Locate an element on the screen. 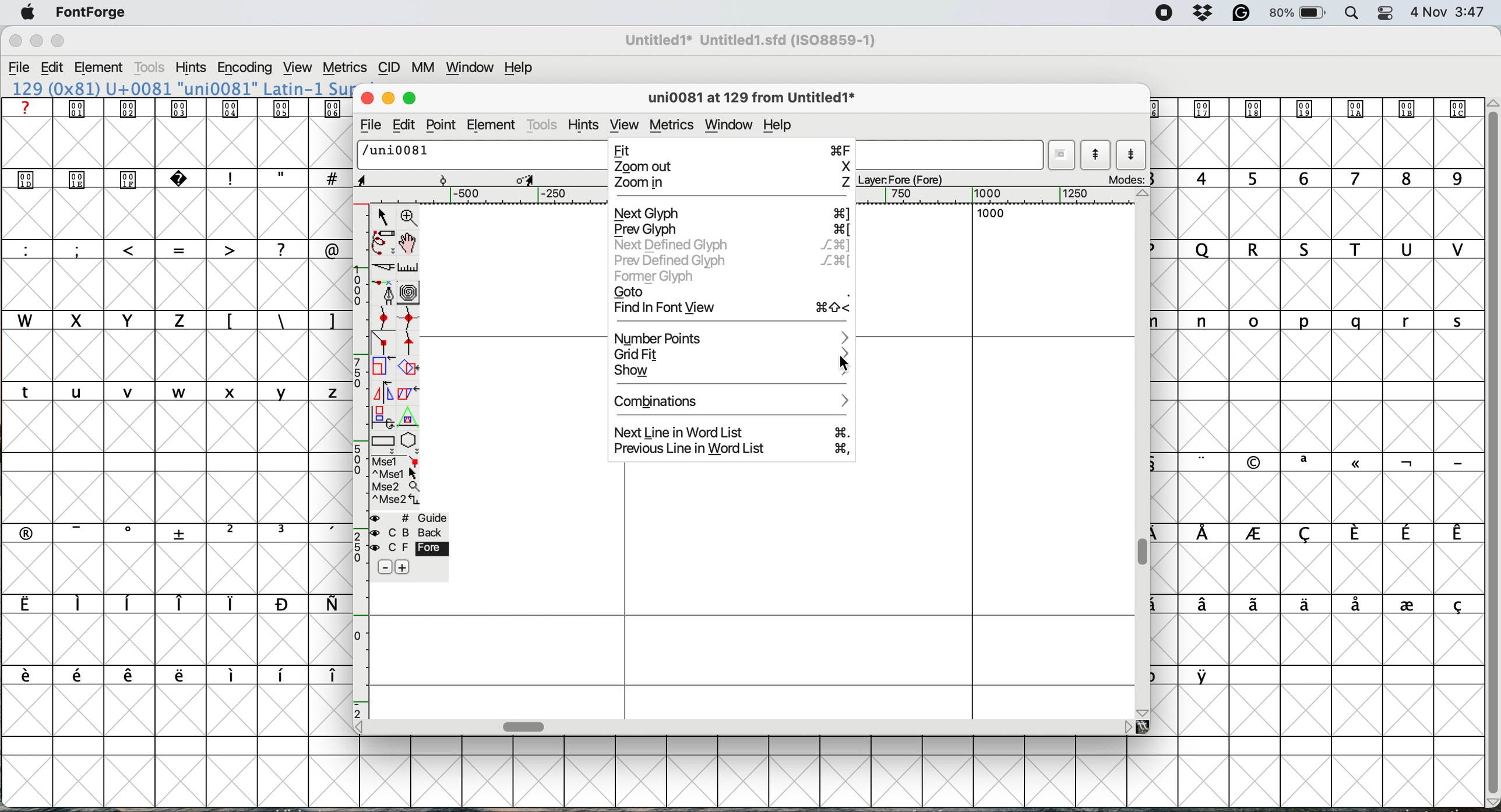  File is located at coordinates (19, 68).